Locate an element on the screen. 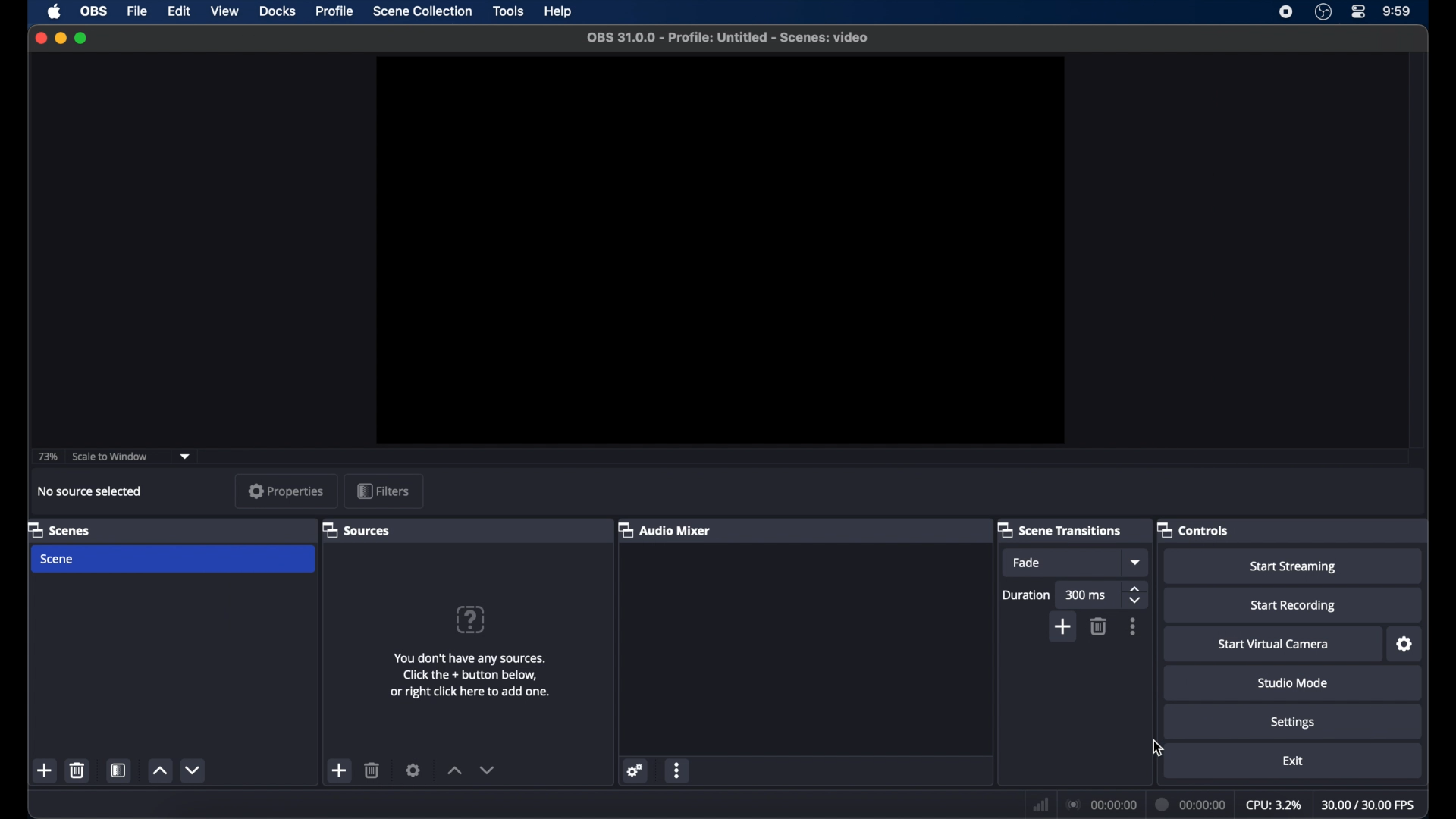  close is located at coordinates (40, 38).